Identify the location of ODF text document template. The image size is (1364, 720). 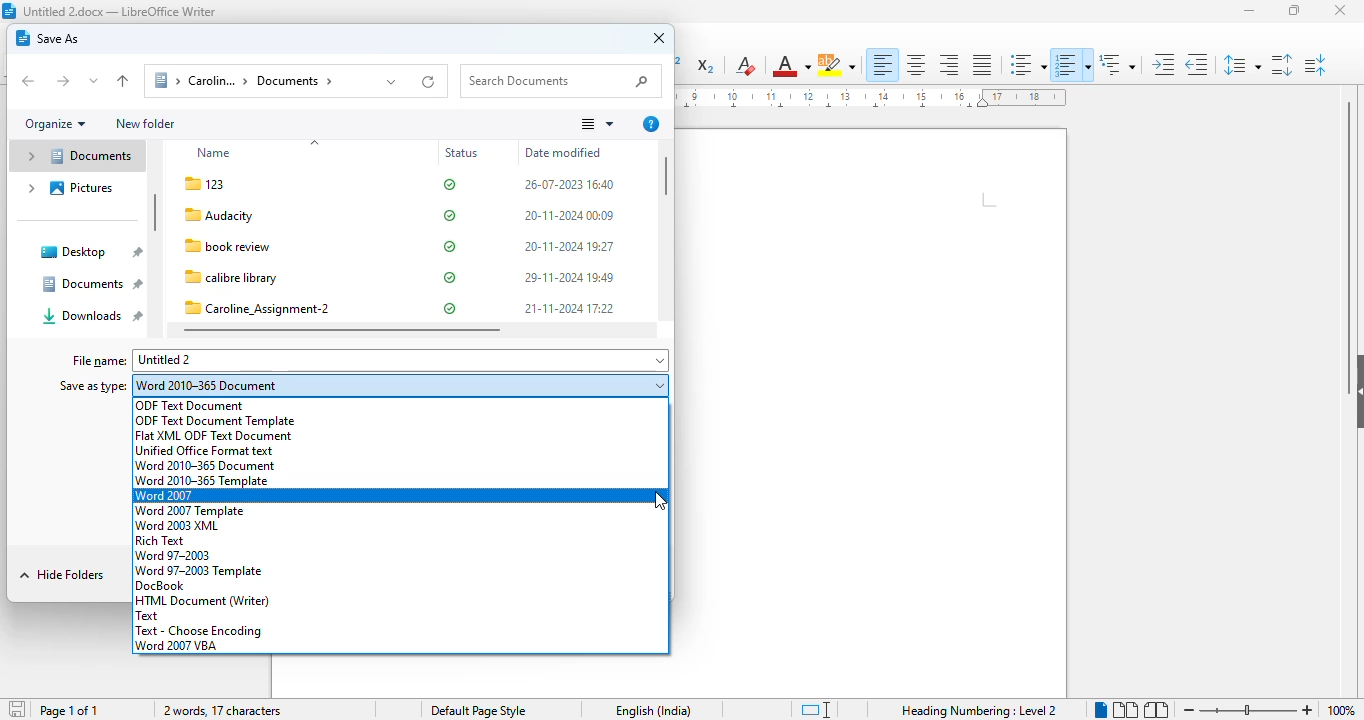
(217, 421).